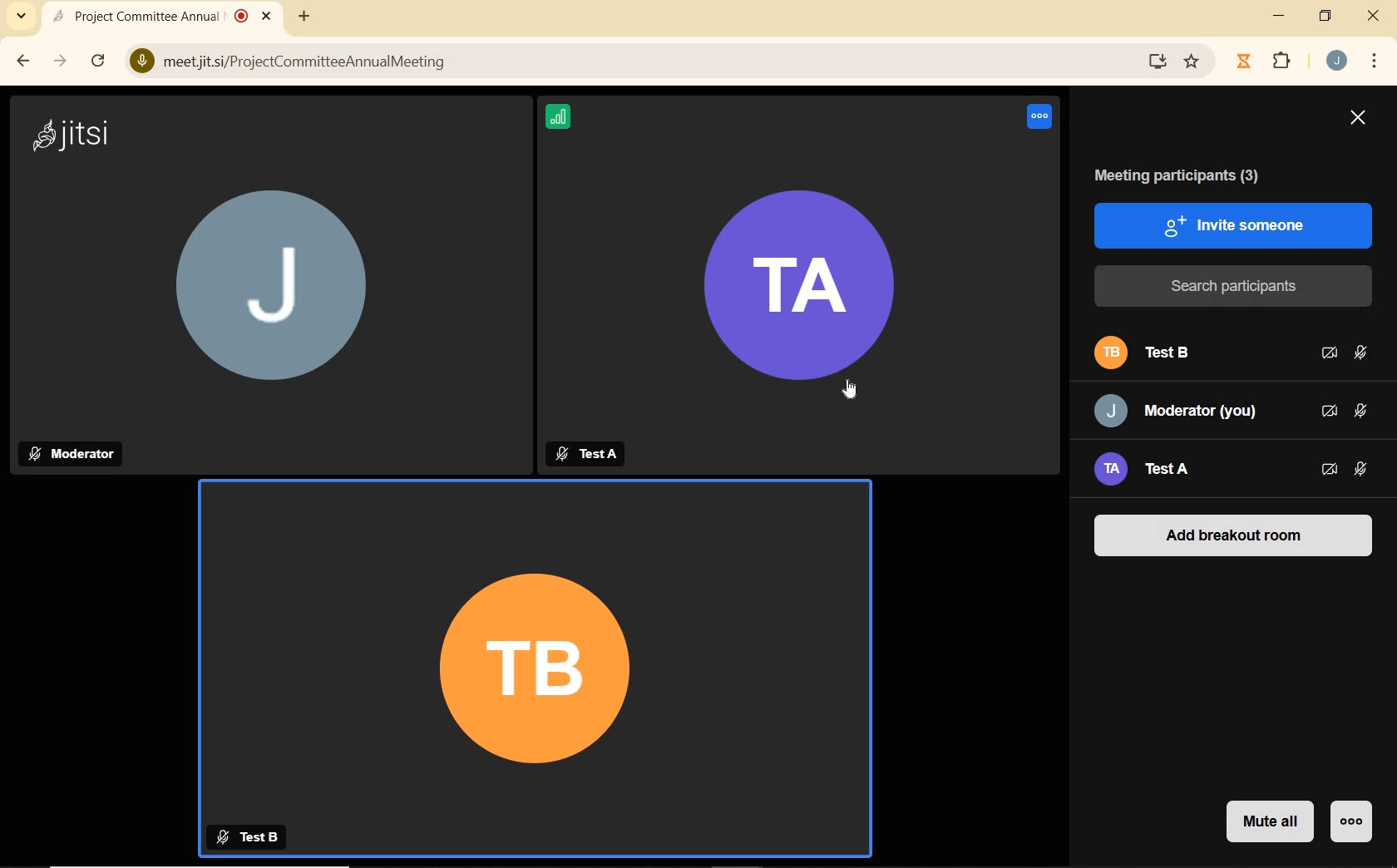 The image size is (1397, 868). I want to click on Favorites, so click(1196, 60).